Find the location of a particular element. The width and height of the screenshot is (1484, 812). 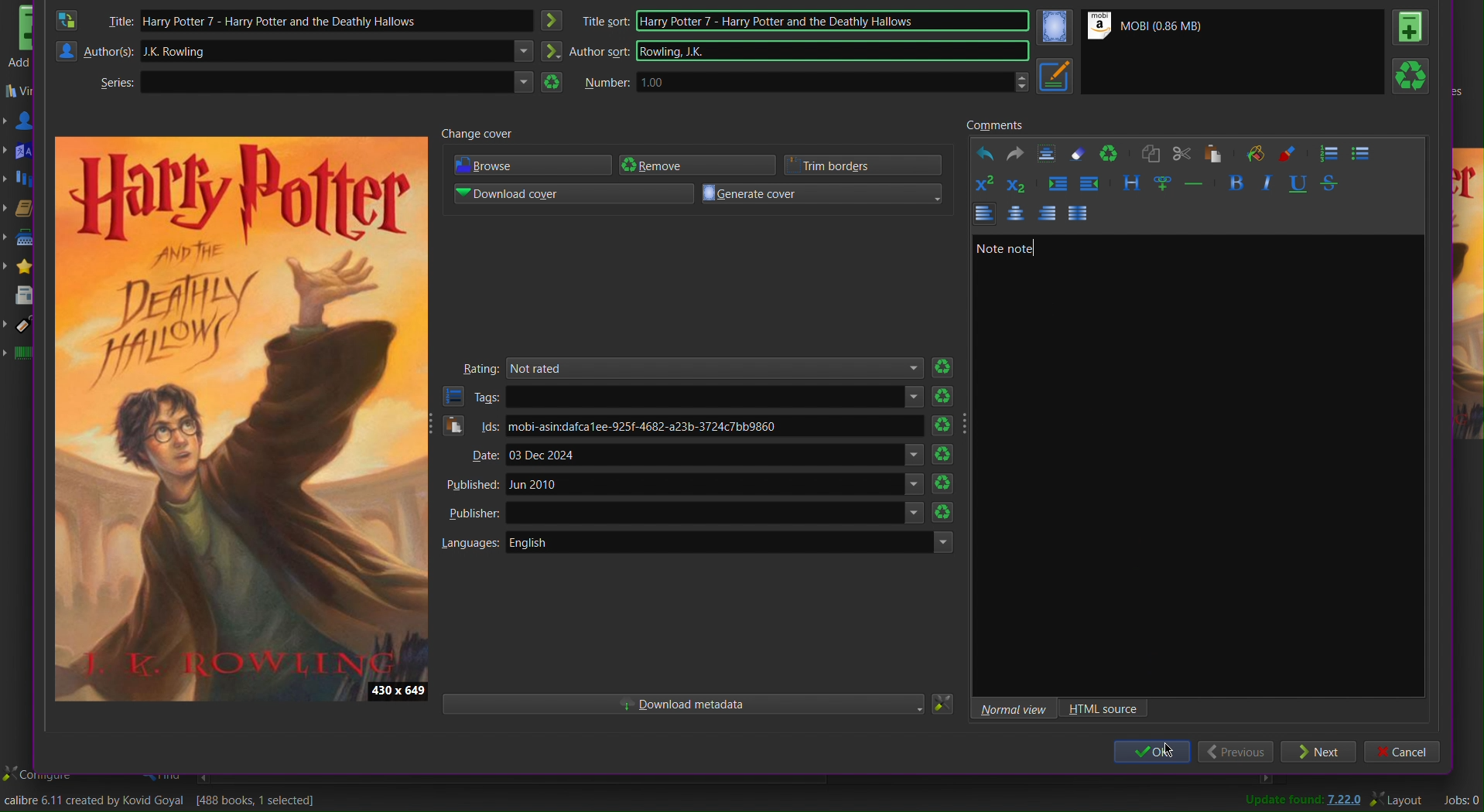

Cover is located at coordinates (1055, 29).